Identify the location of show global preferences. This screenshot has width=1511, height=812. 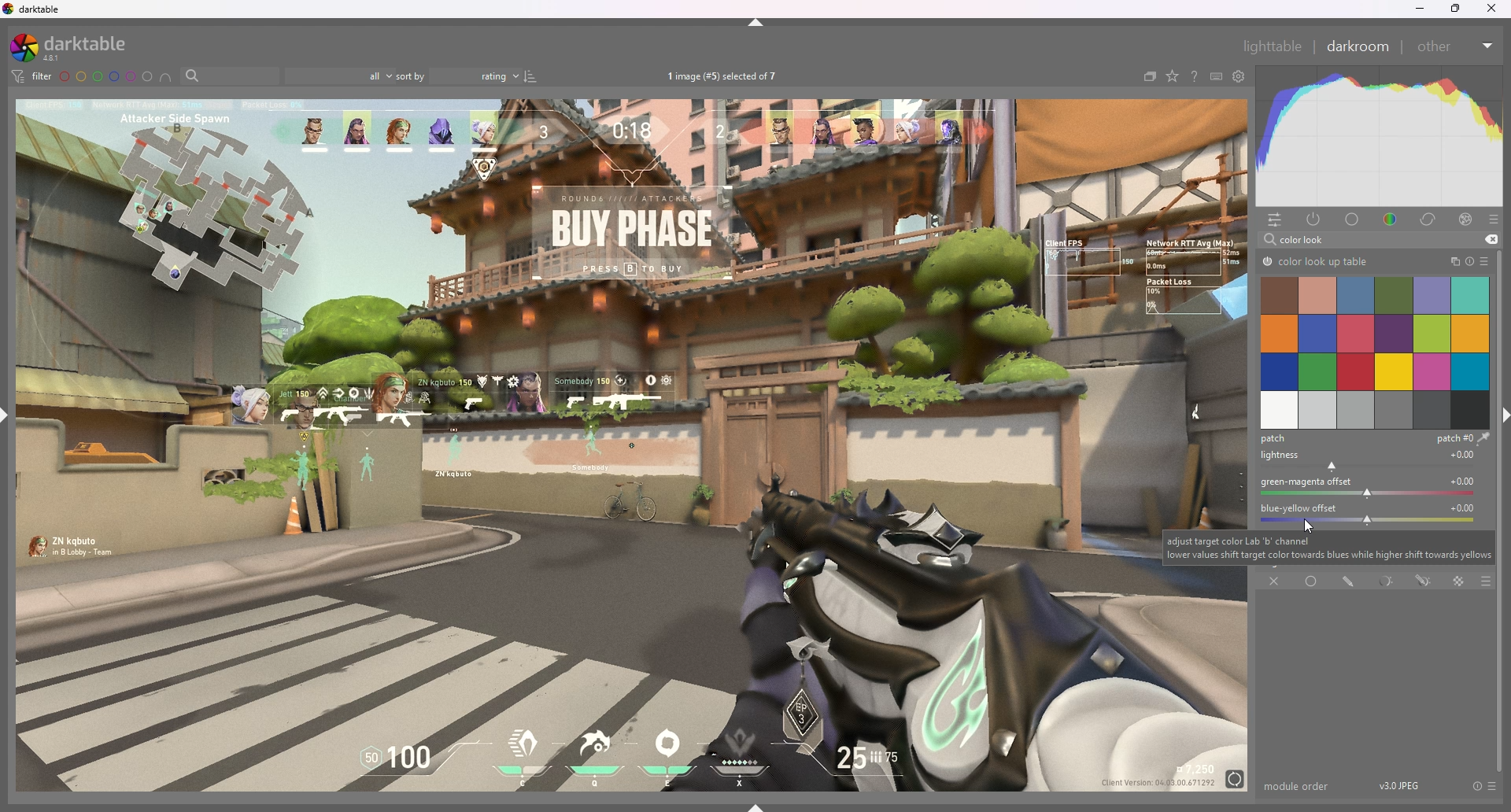
(1239, 76).